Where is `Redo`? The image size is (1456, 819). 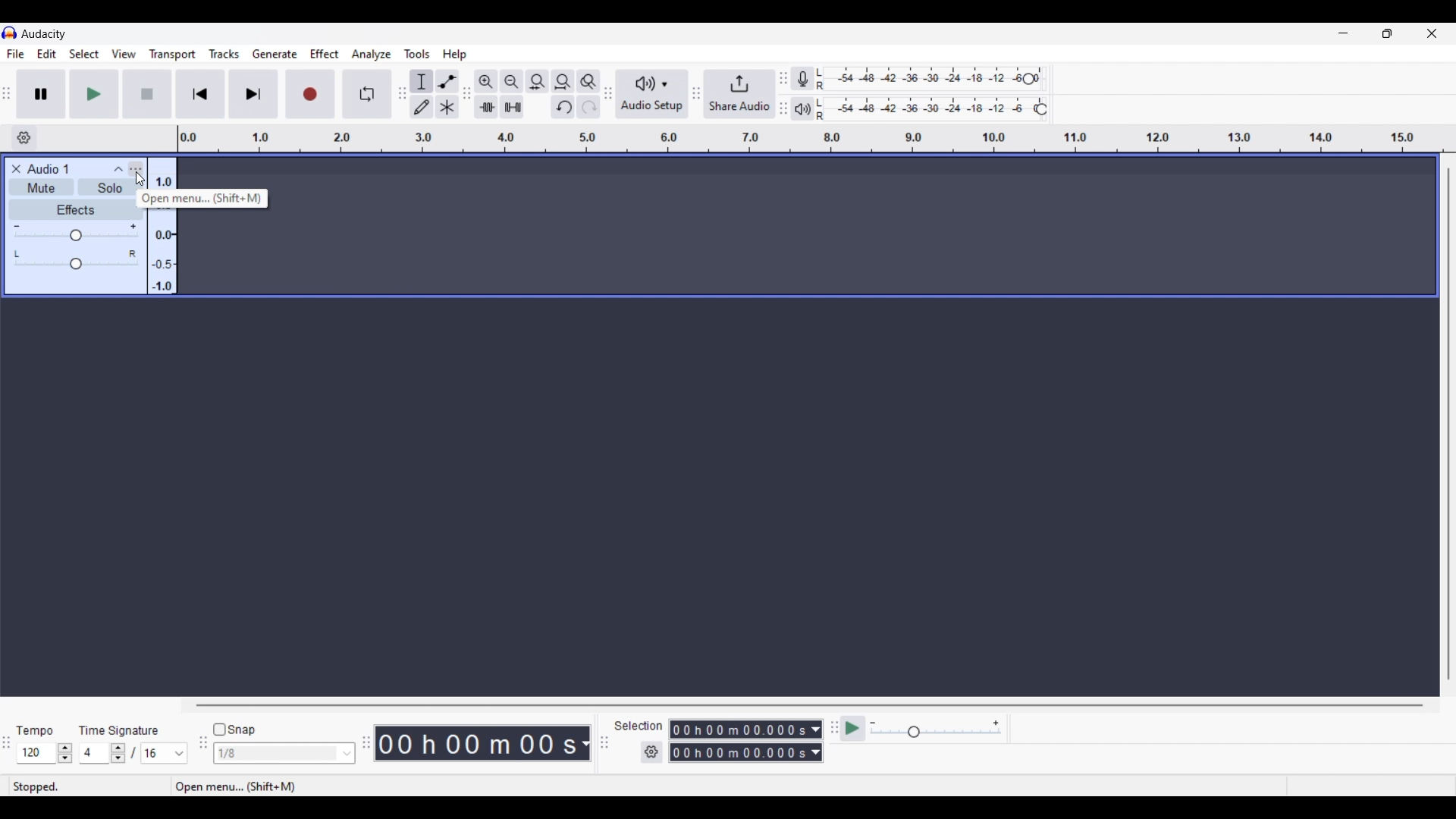
Redo is located at coordinates (588, 106).